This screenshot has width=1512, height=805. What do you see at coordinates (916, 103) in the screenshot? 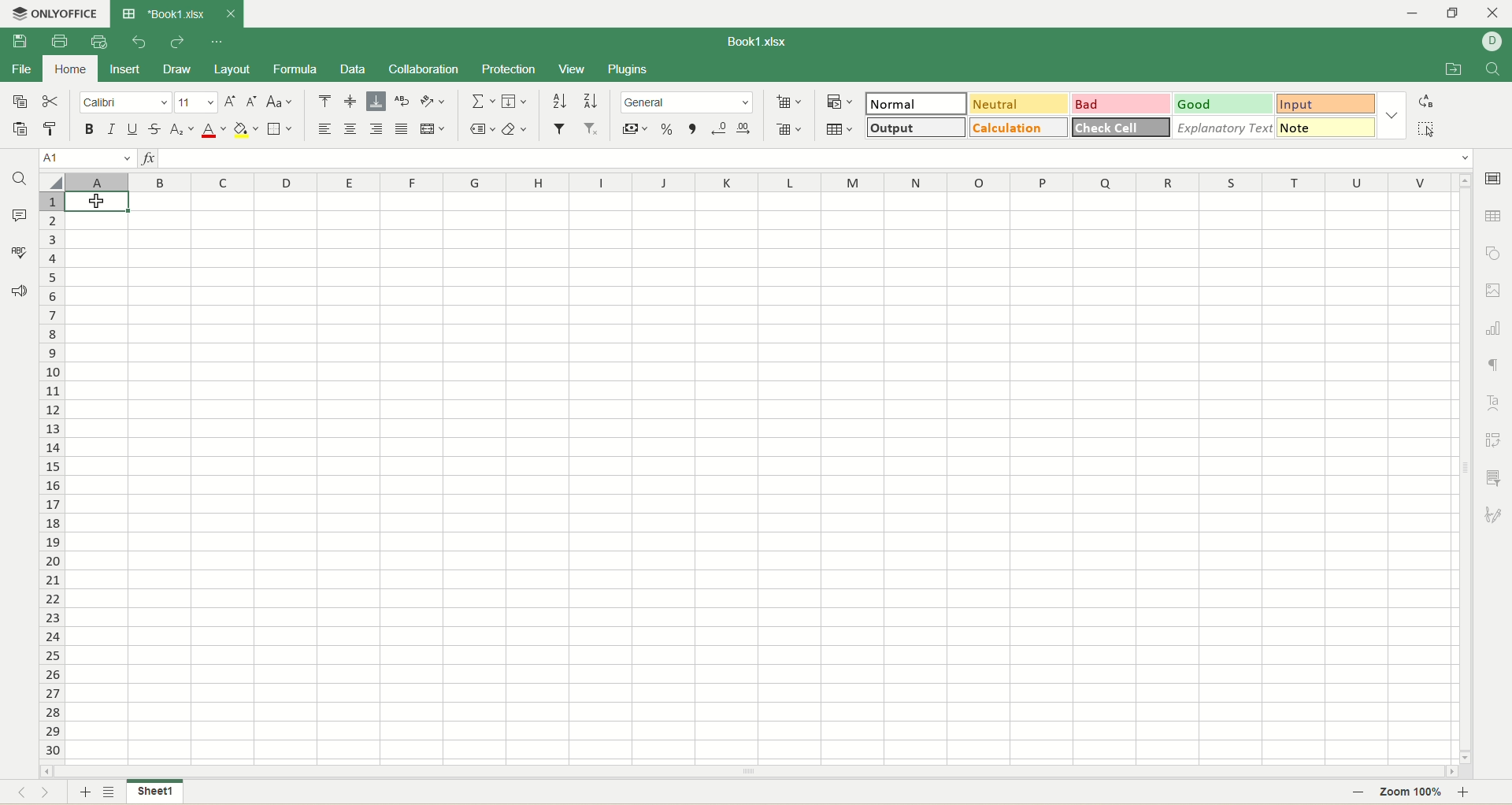
I see `normal` at bounding box center [916, 103].